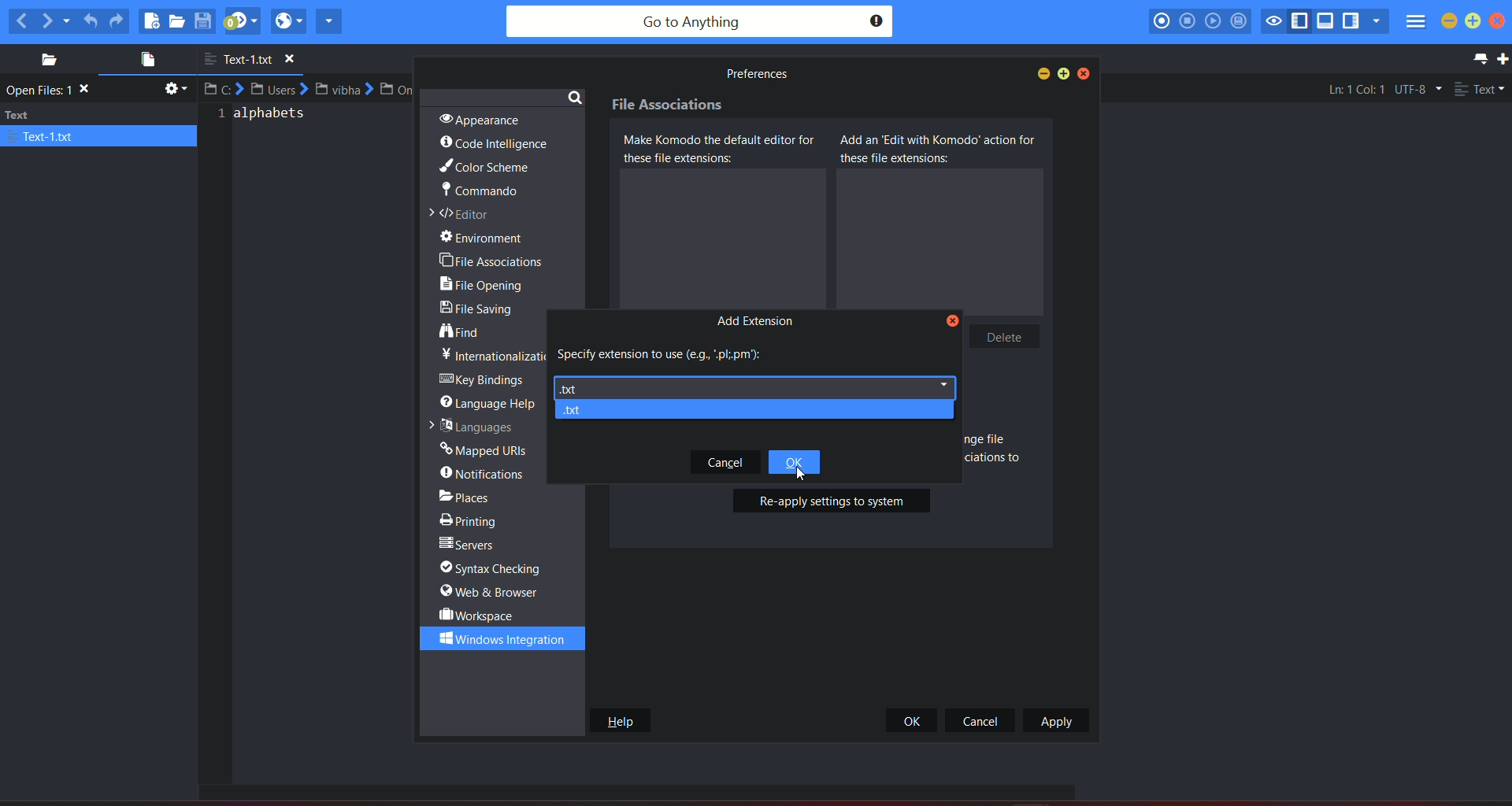 The height and width of the screenshot is (806, 1512). What do you see at coordinates (1503, 59) in the screenshot?
I see `new tab` at bounding box center [1503, 59].